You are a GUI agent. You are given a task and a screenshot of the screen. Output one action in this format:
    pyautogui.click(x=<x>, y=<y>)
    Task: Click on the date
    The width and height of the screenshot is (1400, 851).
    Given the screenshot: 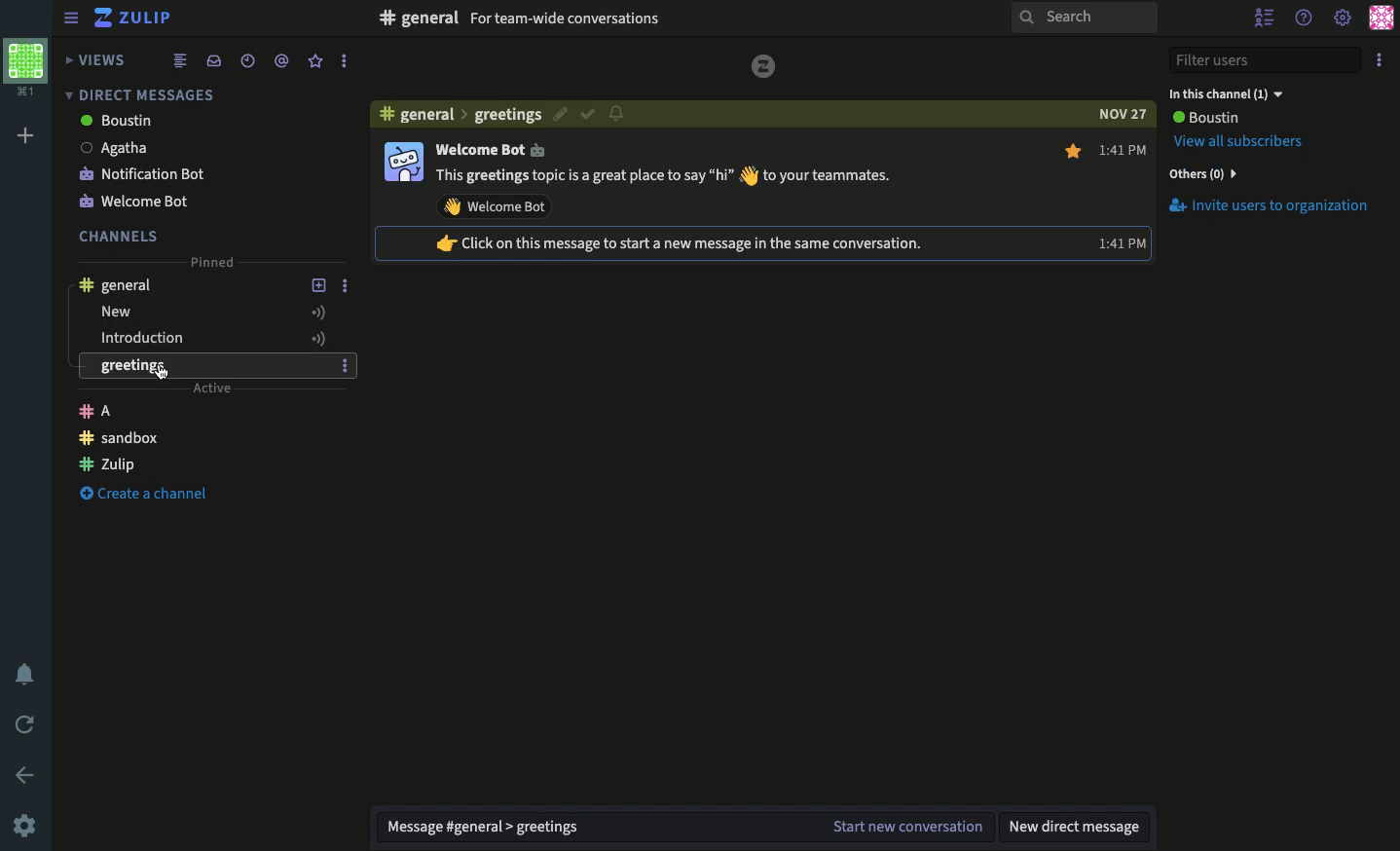 What is the action you would take?
    pyautogui.click(x=1119, y=114)
    